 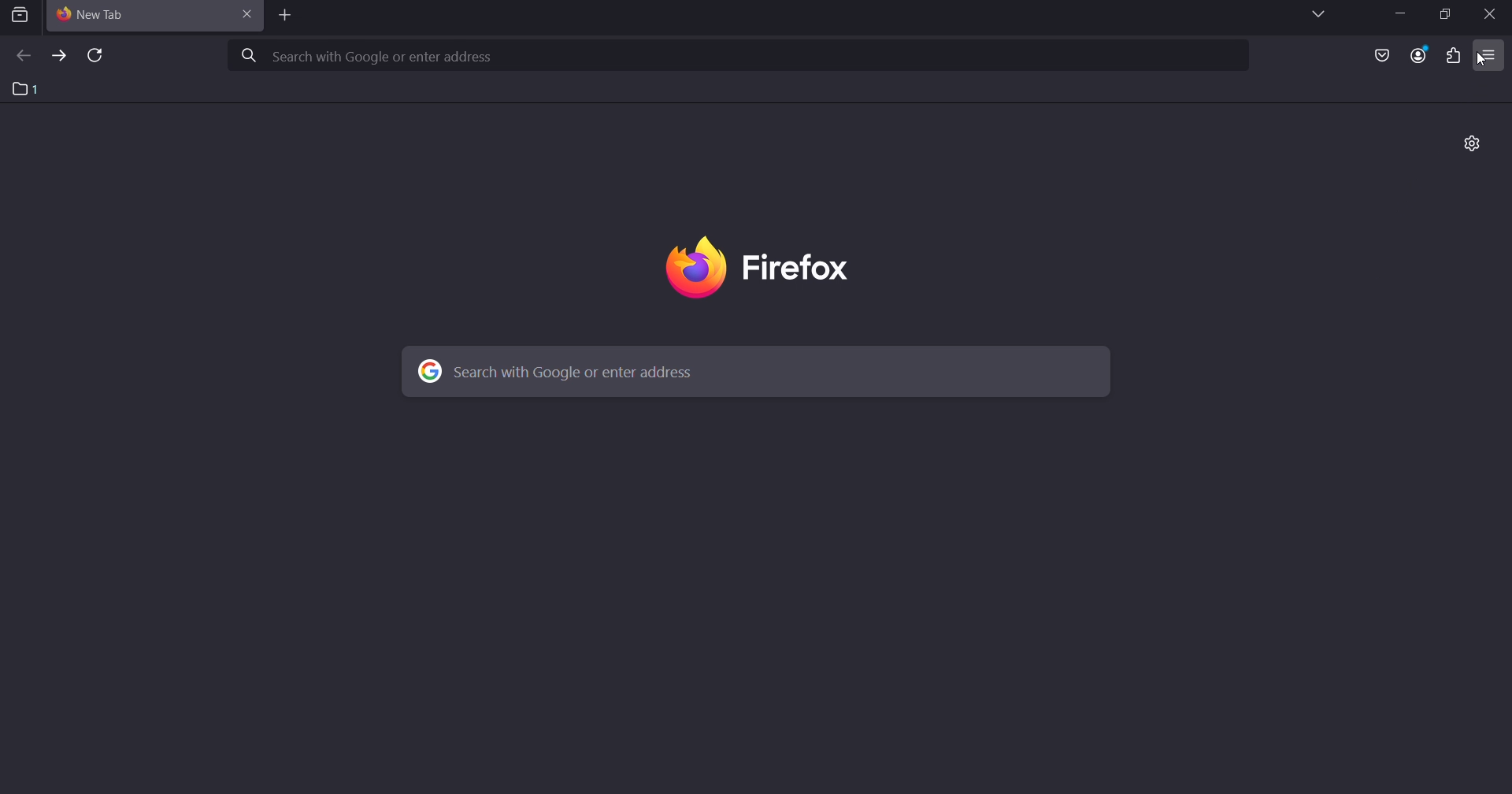 What do you see at coordinates (1474, 147) in the screenshot?
I see `personalize new tab` at bounding box center [1474, 147].